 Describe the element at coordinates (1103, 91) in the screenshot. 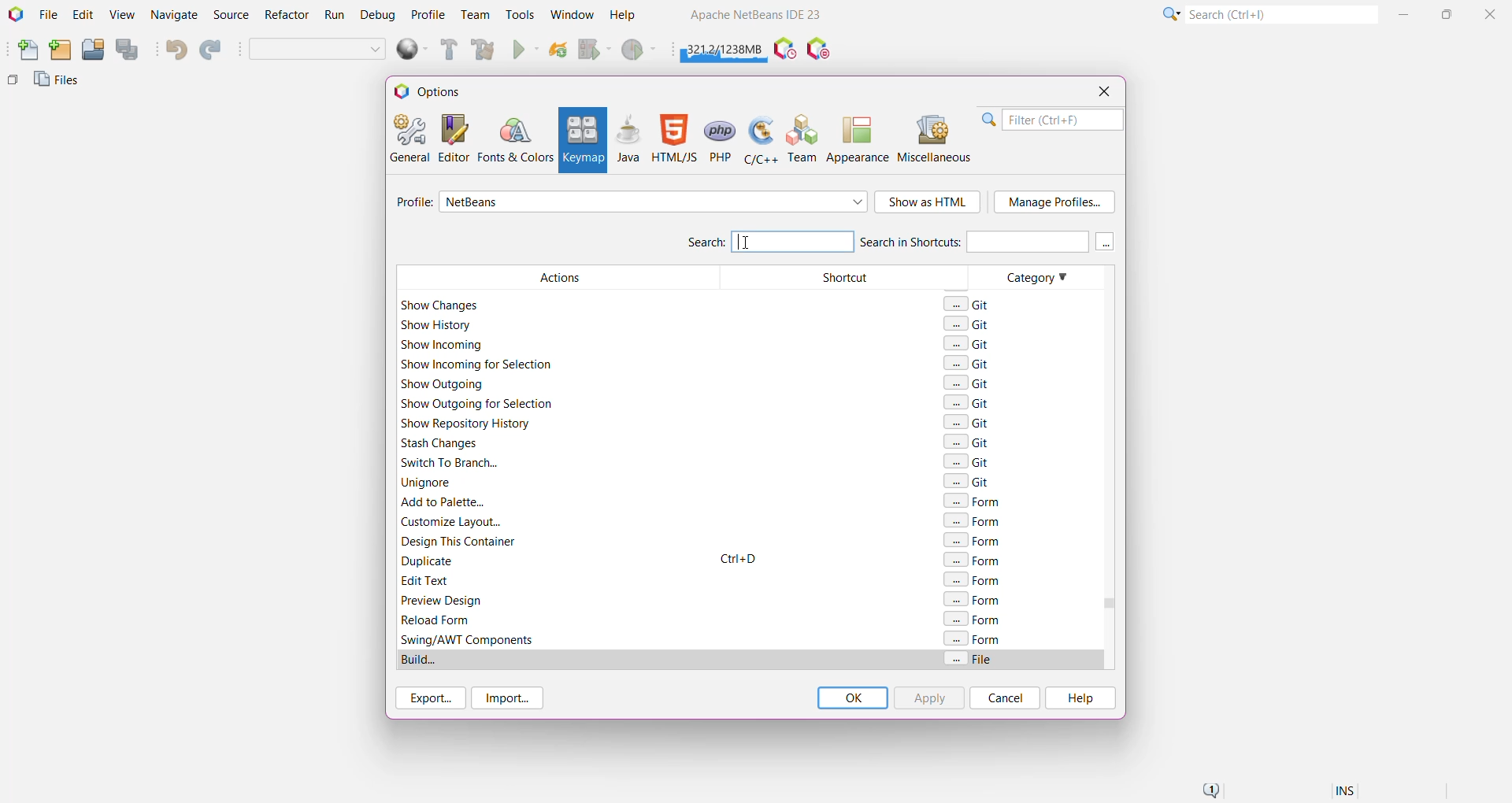

I see `Close` at that location.